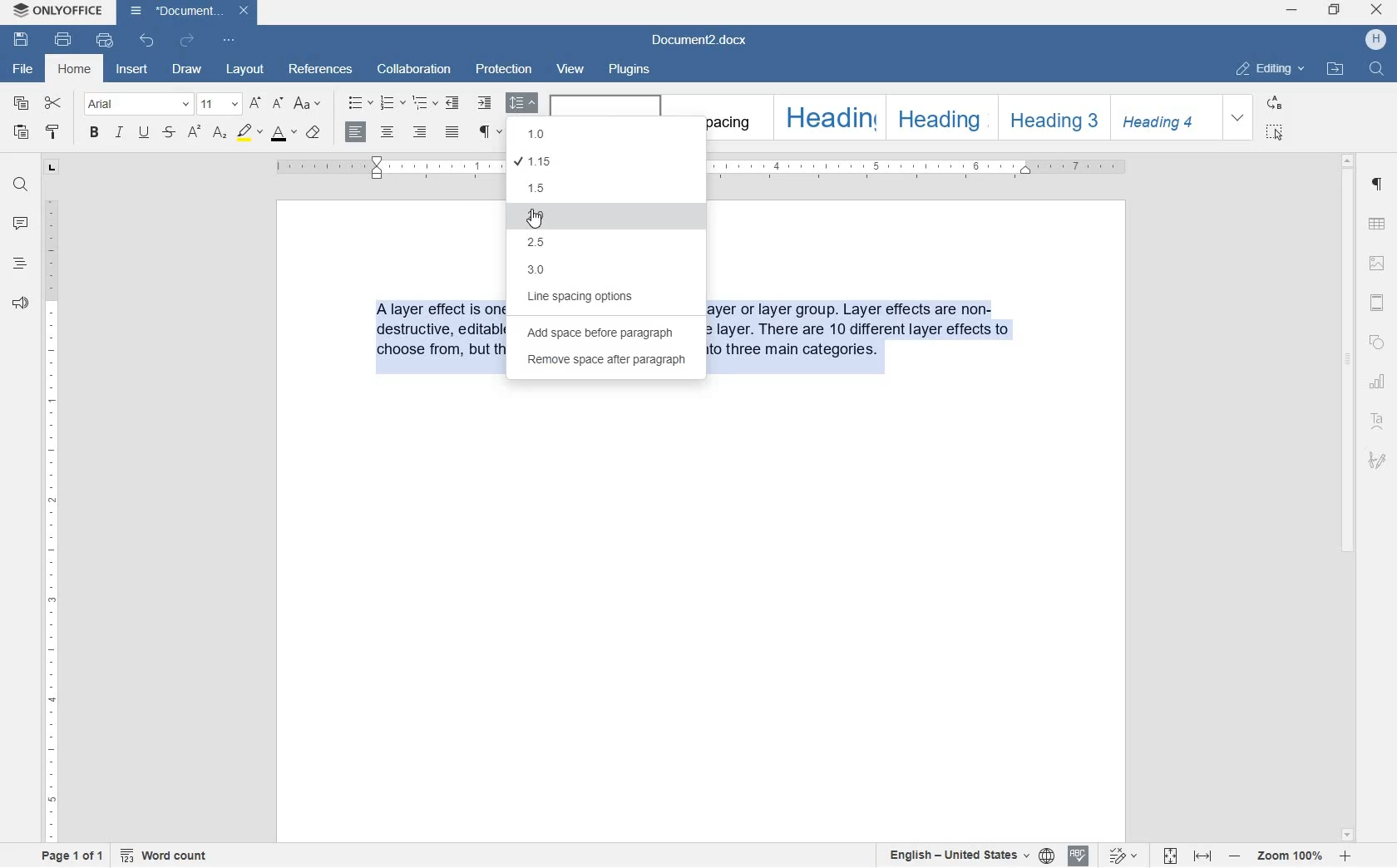 Image resolution: width=1397 pixels, height=868 pixels. Describe the element at coordinates (243, 68) in the screenshot. I see `layout` at that location.